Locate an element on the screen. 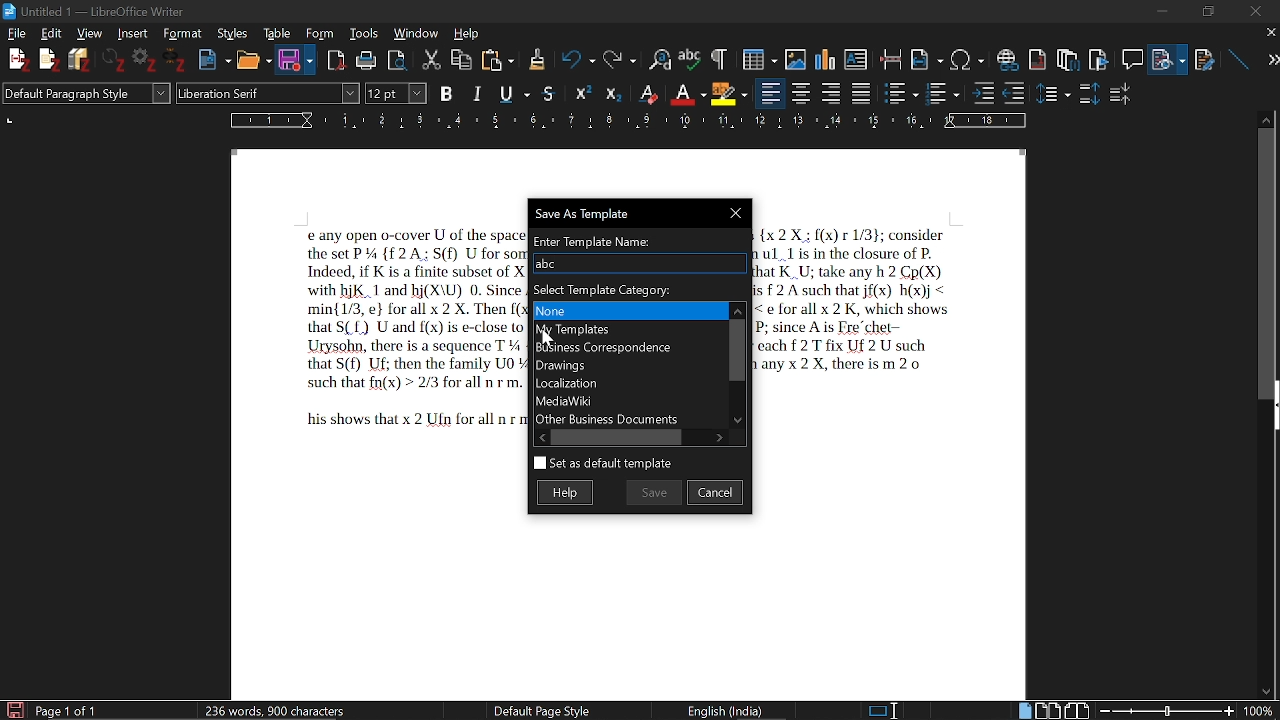  Select Template category is located at coordinates (637, 287).